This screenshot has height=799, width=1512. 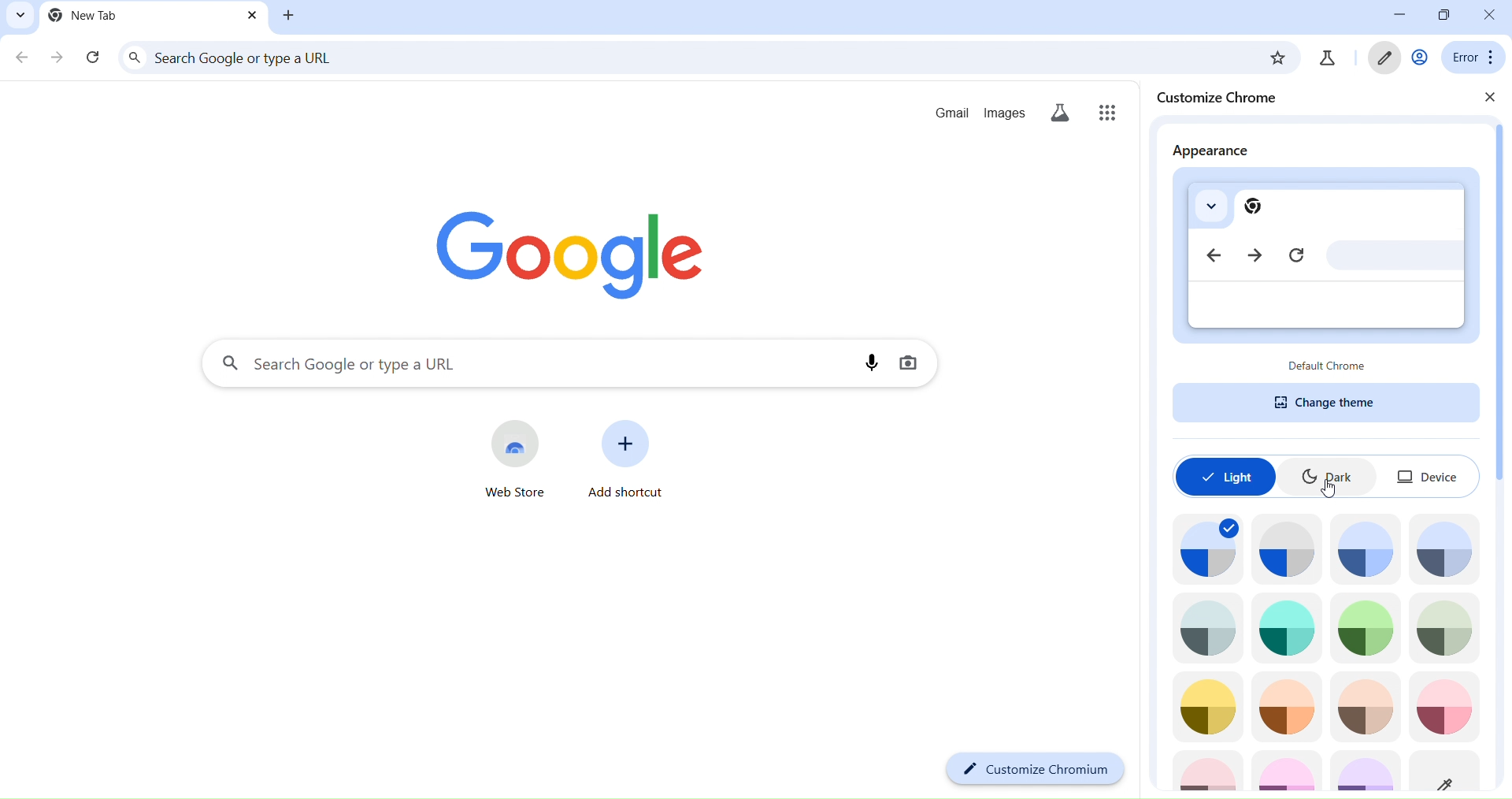 I want to click on image search, so click(x=912, y=361).